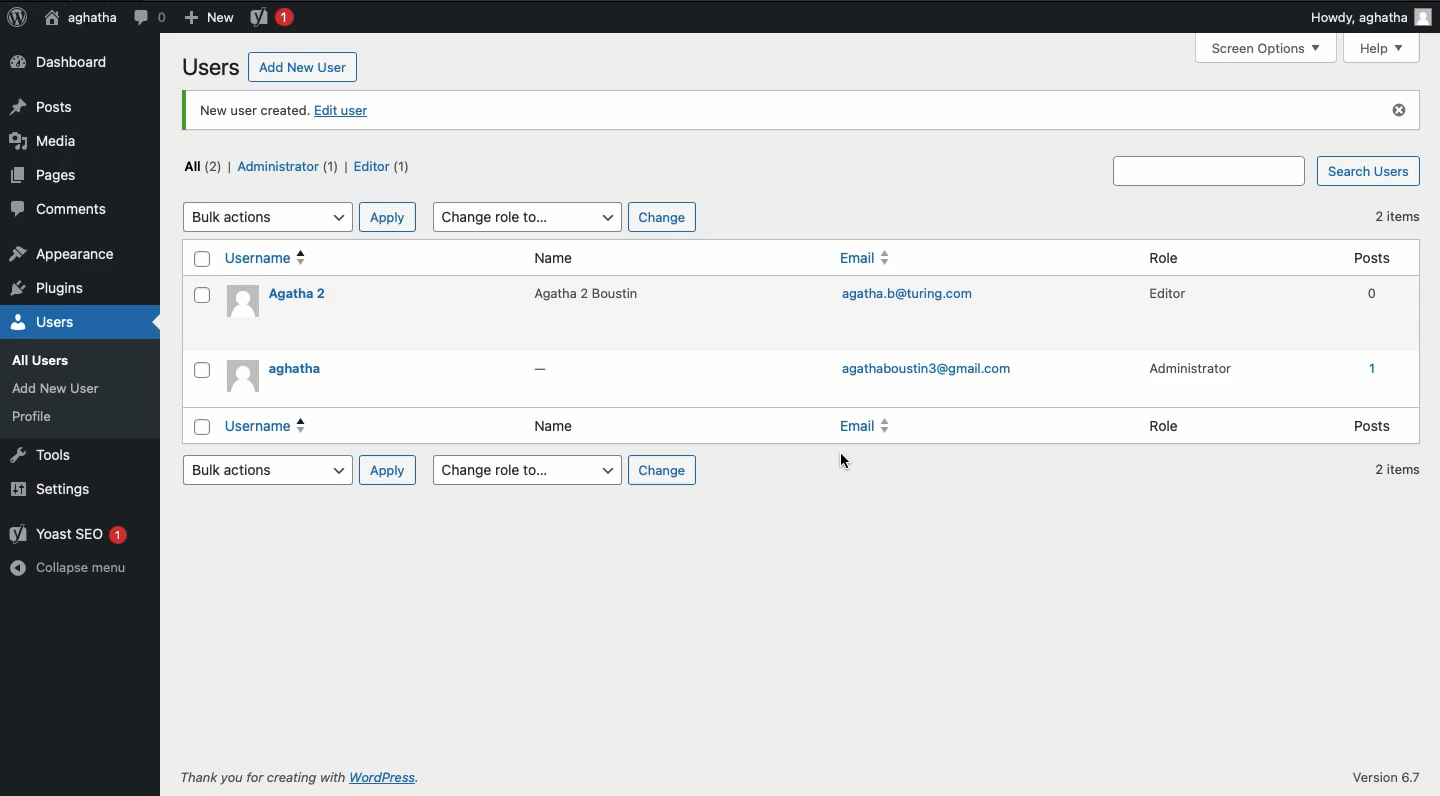 The height and width of the screenshot is (796, 1440). What do you see at coordinates (208, 16) in the screenshot?
I see `New` at bounding box center [208, 16].